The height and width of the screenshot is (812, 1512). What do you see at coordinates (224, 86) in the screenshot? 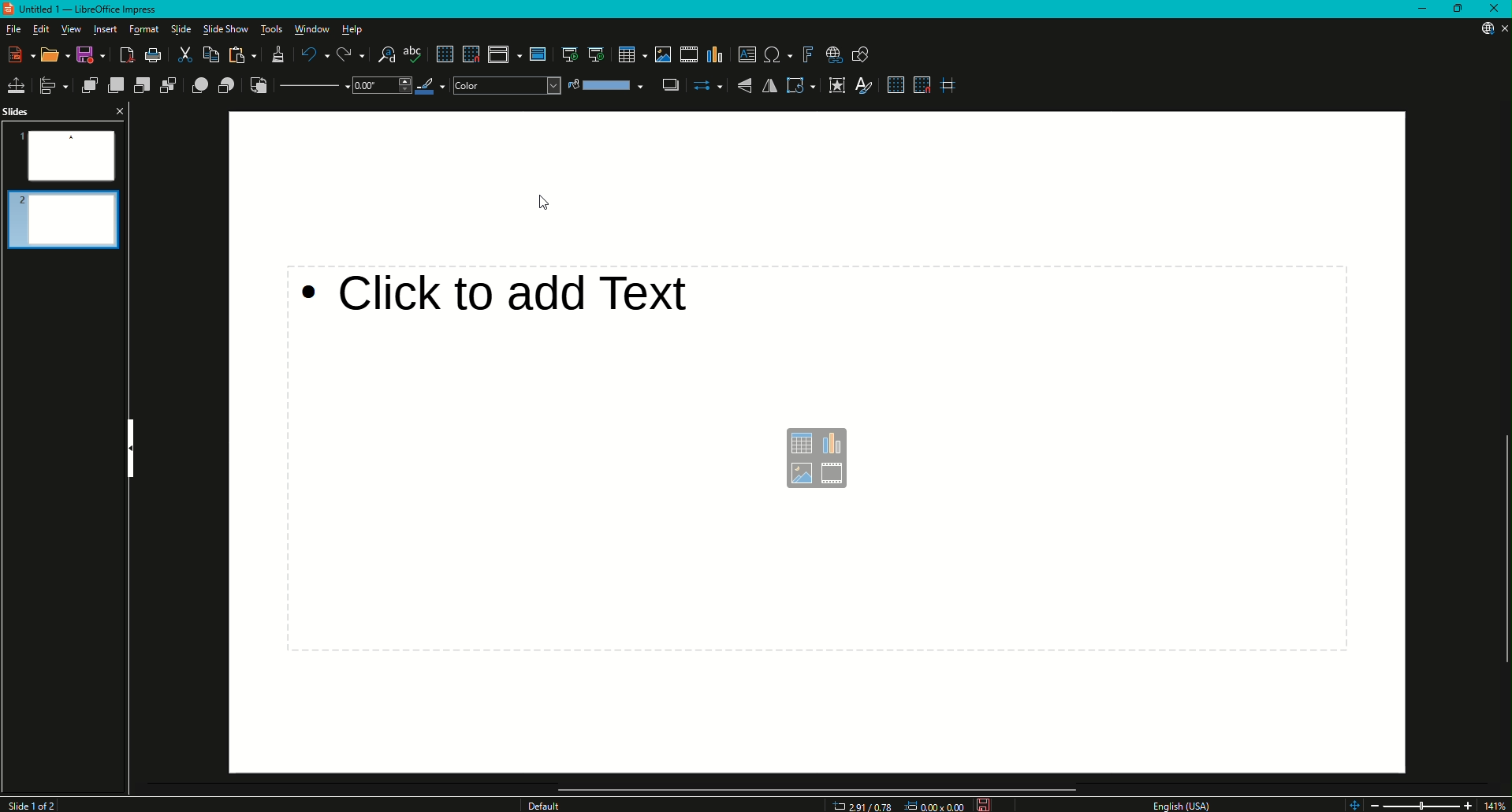
I see `Behind Object` at bounding box center [224, 86].